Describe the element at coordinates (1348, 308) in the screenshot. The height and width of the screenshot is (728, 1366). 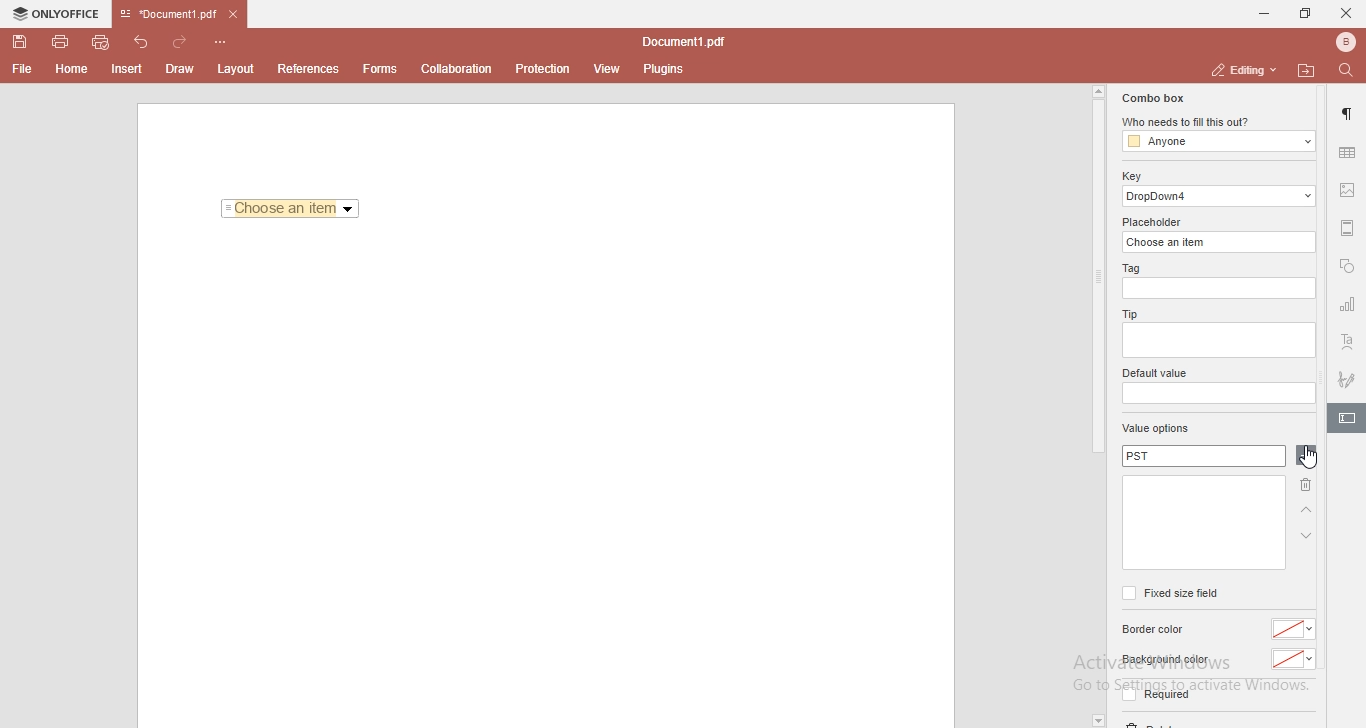
I see `chart` at that location.